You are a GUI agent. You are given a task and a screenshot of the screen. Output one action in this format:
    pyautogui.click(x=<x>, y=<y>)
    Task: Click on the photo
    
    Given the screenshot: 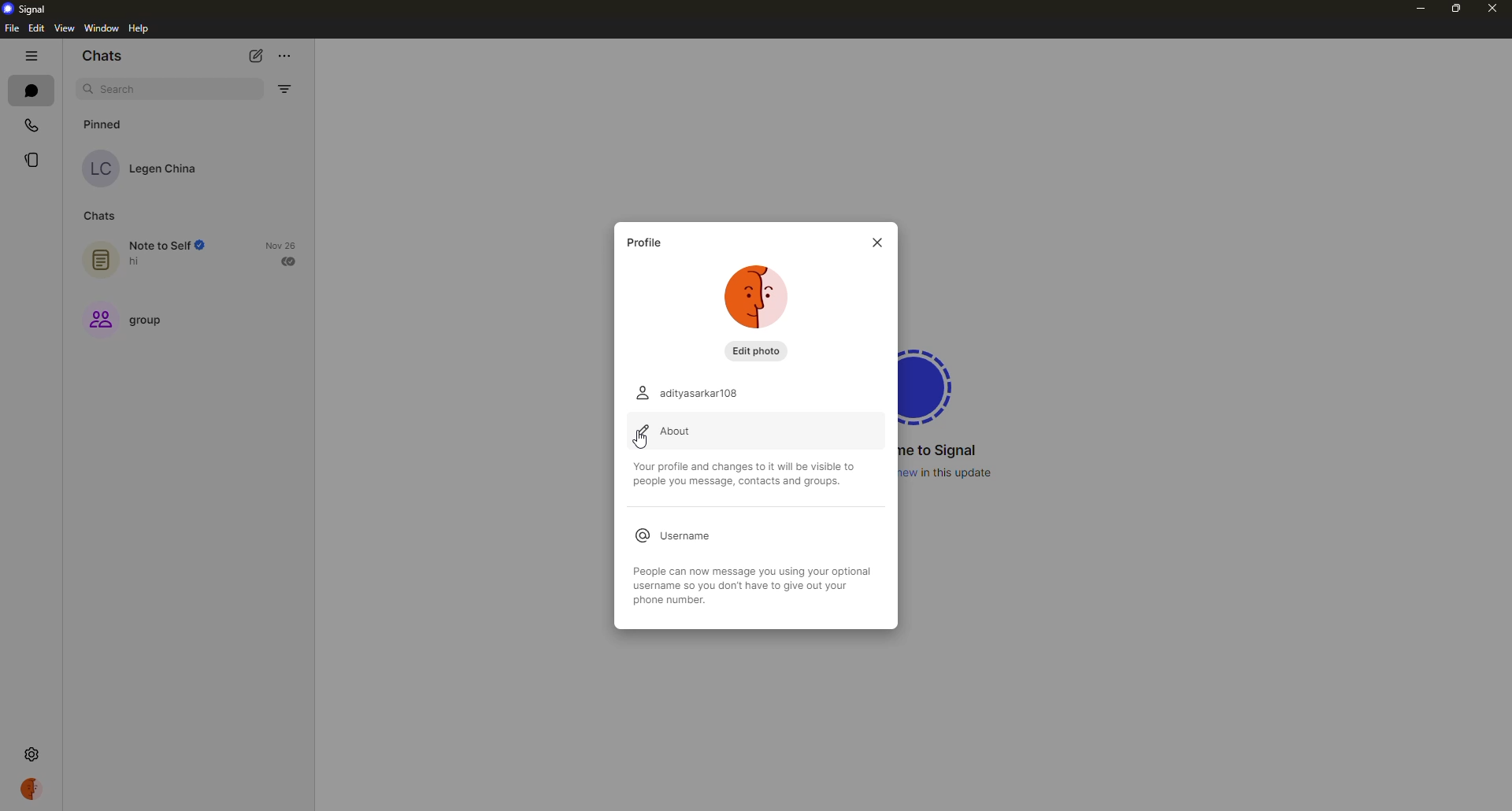 What is the action you would take?
    pyautogui.click(x=760, y=298)
    